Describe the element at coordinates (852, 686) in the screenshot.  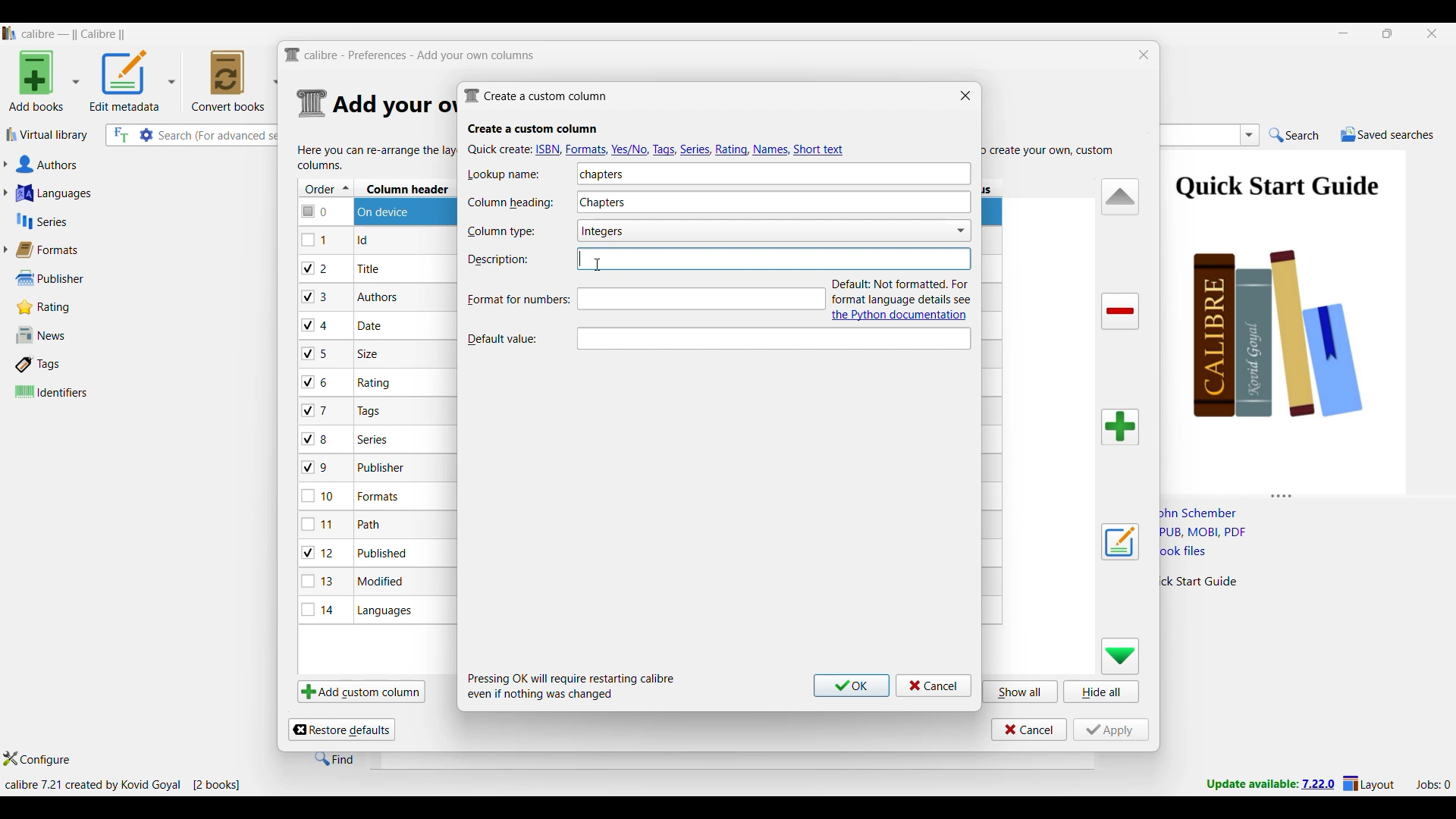
I see `Ok` at that location.